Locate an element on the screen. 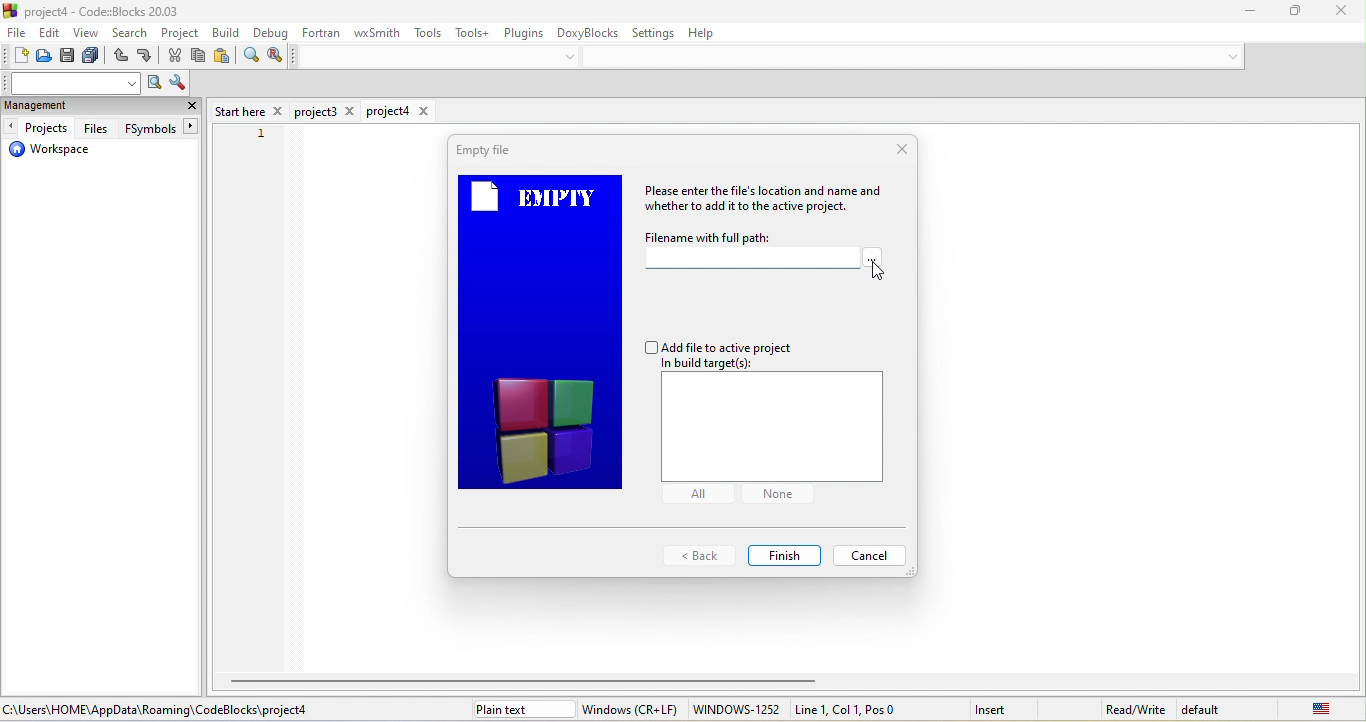 The width and height of the screenshot is (1366, 722). 1 is located at coordinates (261, 132).